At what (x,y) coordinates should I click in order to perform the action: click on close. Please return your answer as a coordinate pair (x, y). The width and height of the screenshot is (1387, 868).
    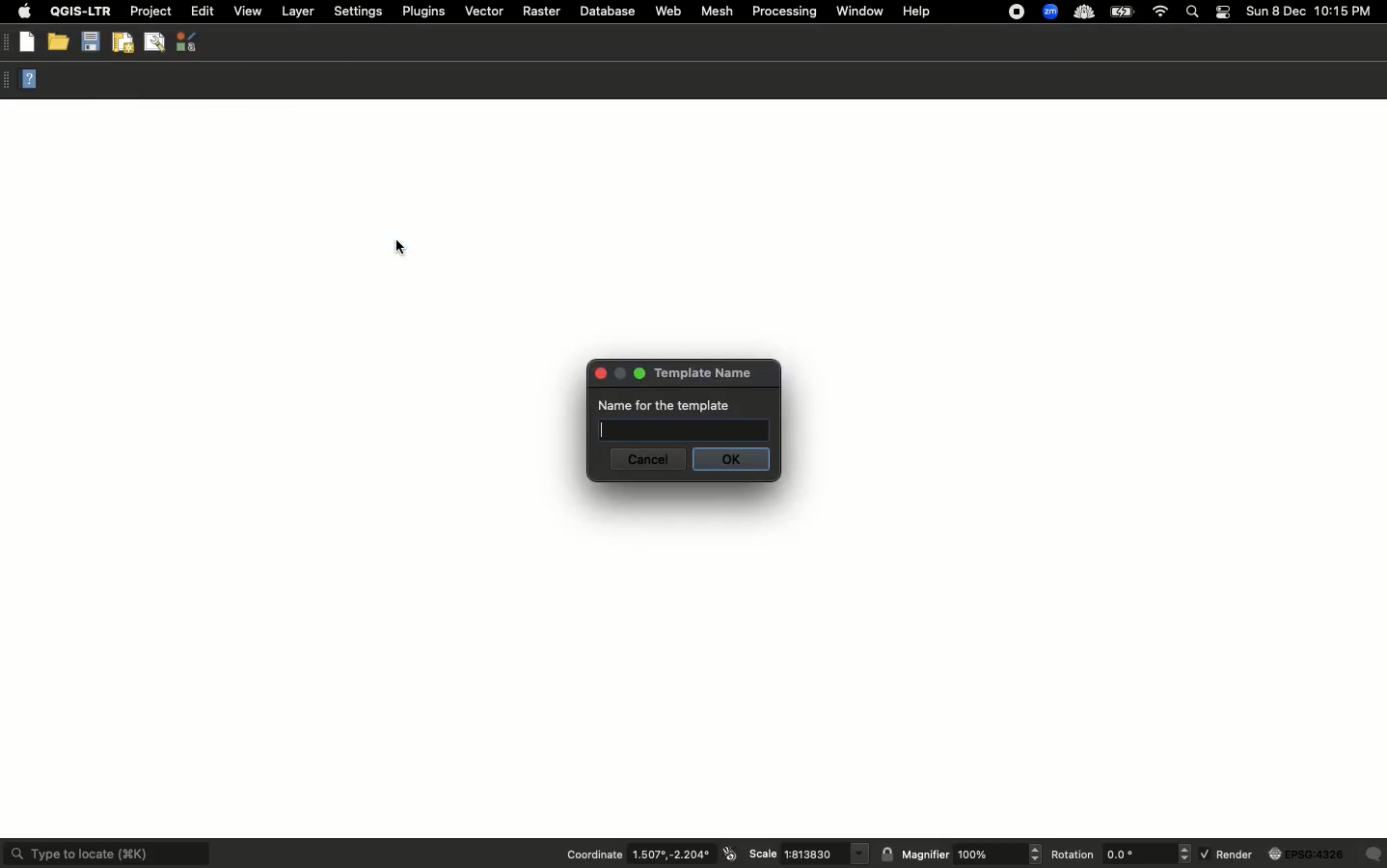
    Looking at the image, I should click on (599, 374).